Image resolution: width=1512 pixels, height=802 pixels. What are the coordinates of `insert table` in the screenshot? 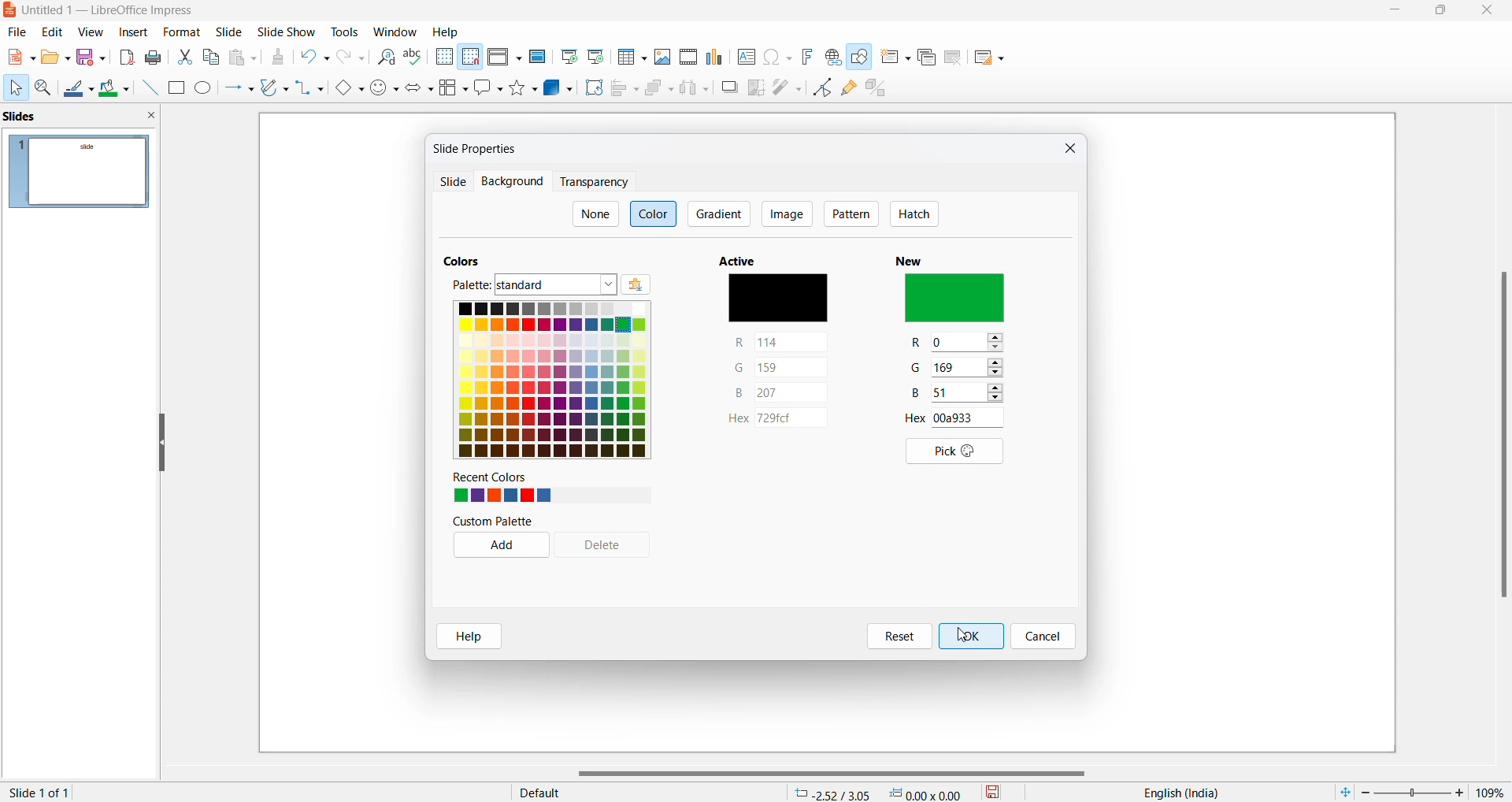 It's located at (631, 57).